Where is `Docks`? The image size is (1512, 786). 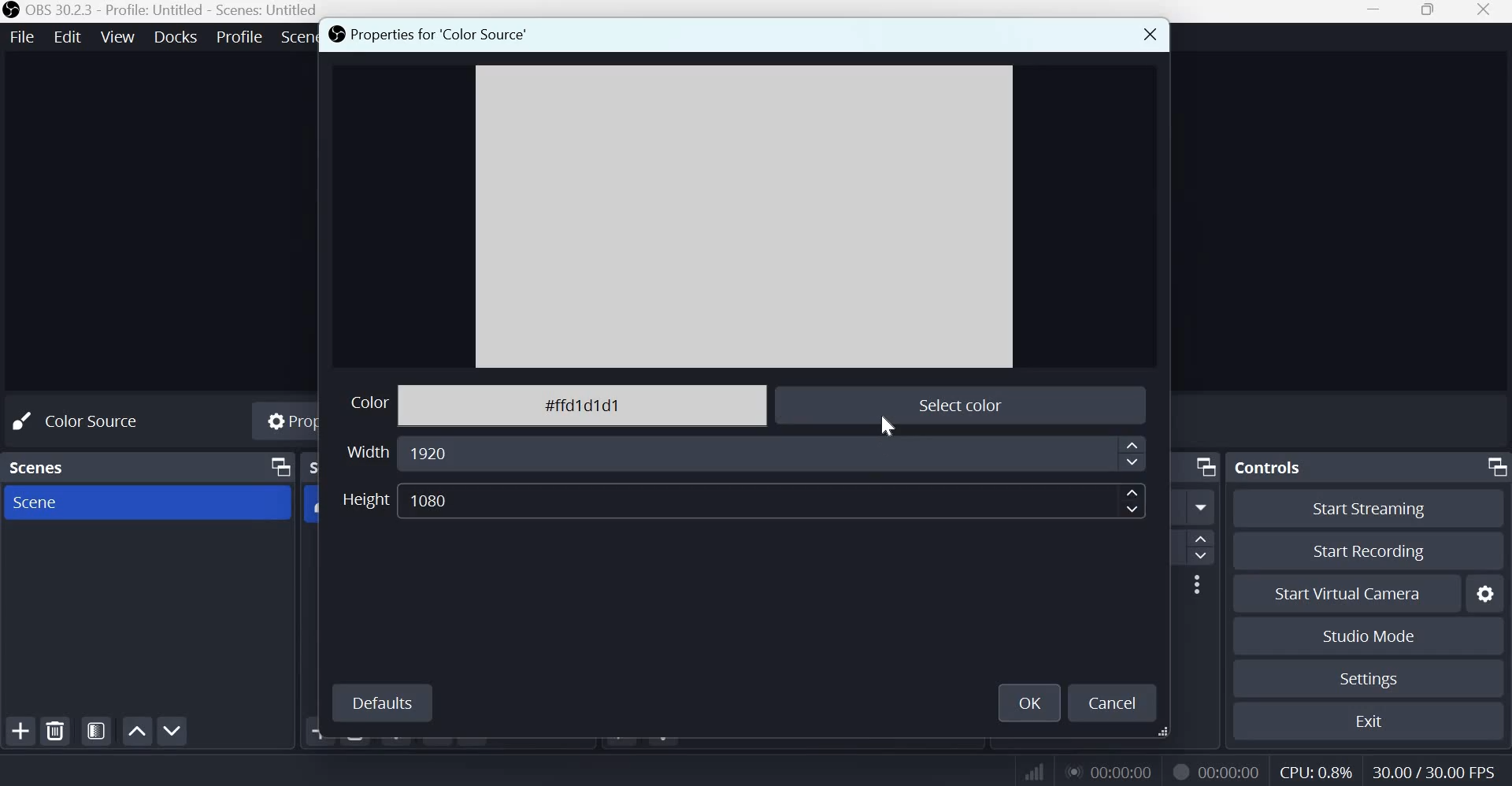 Docks is located at coordinates (176, 36).